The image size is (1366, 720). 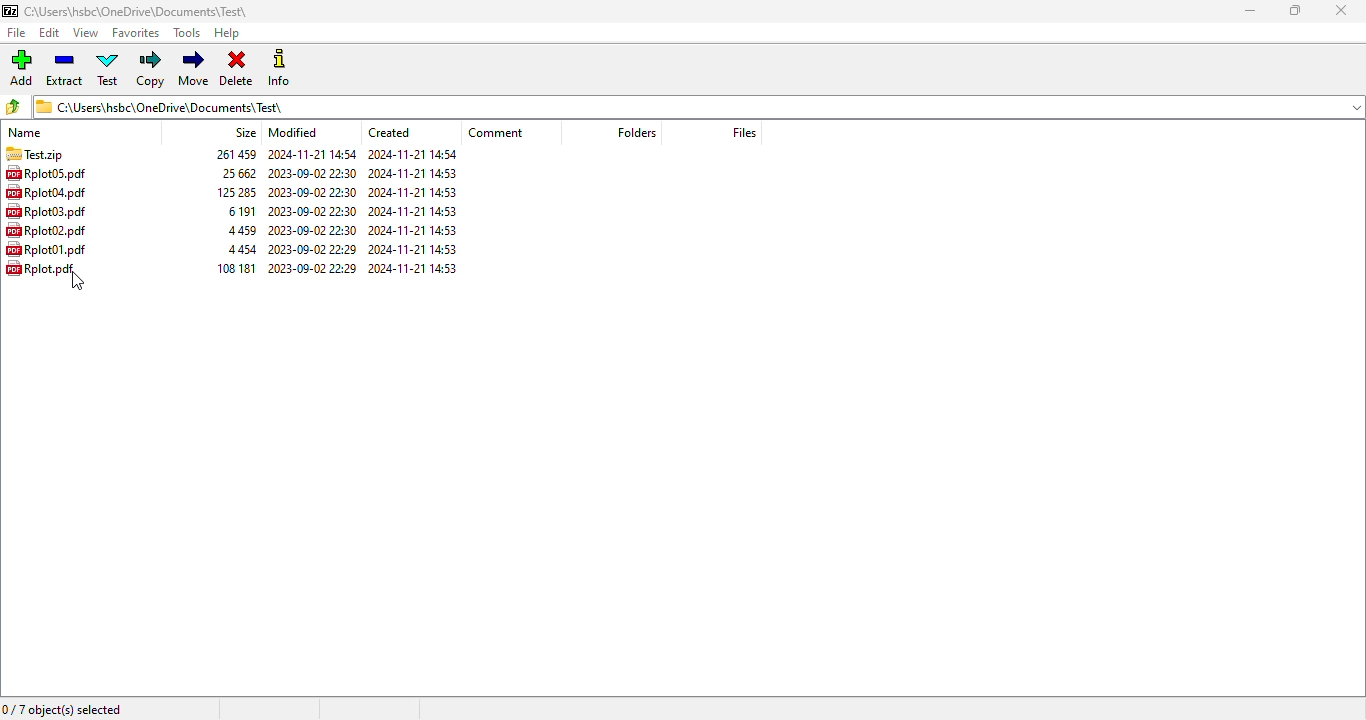 What do you see at coordinates (306, 153) in the screenshot?
I see ` 2044-11-21 1454` at bounding box center [306, 153].